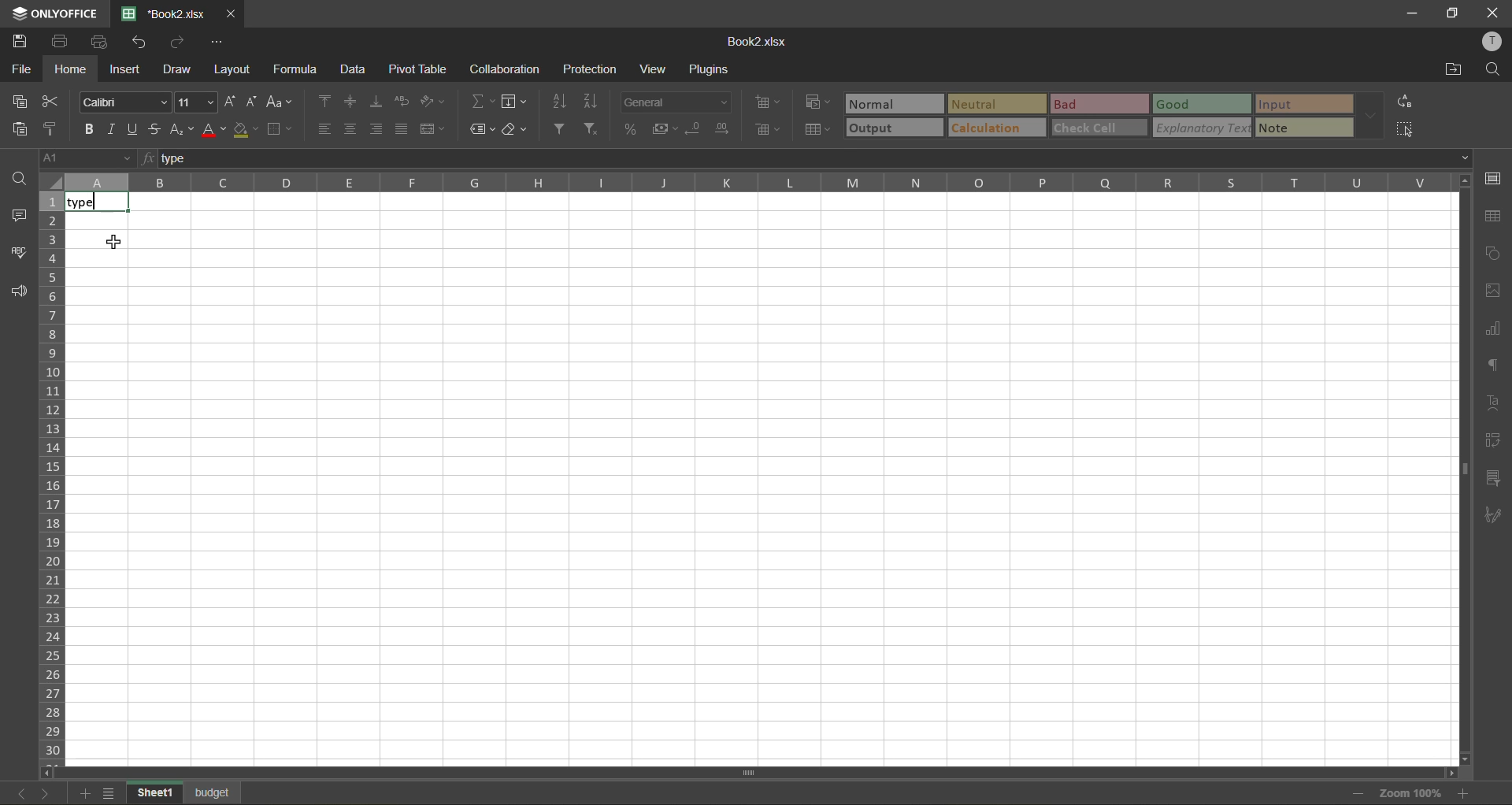 This screenshot has width=1512, height=805. I want to click on bad, so click(1096, 103).